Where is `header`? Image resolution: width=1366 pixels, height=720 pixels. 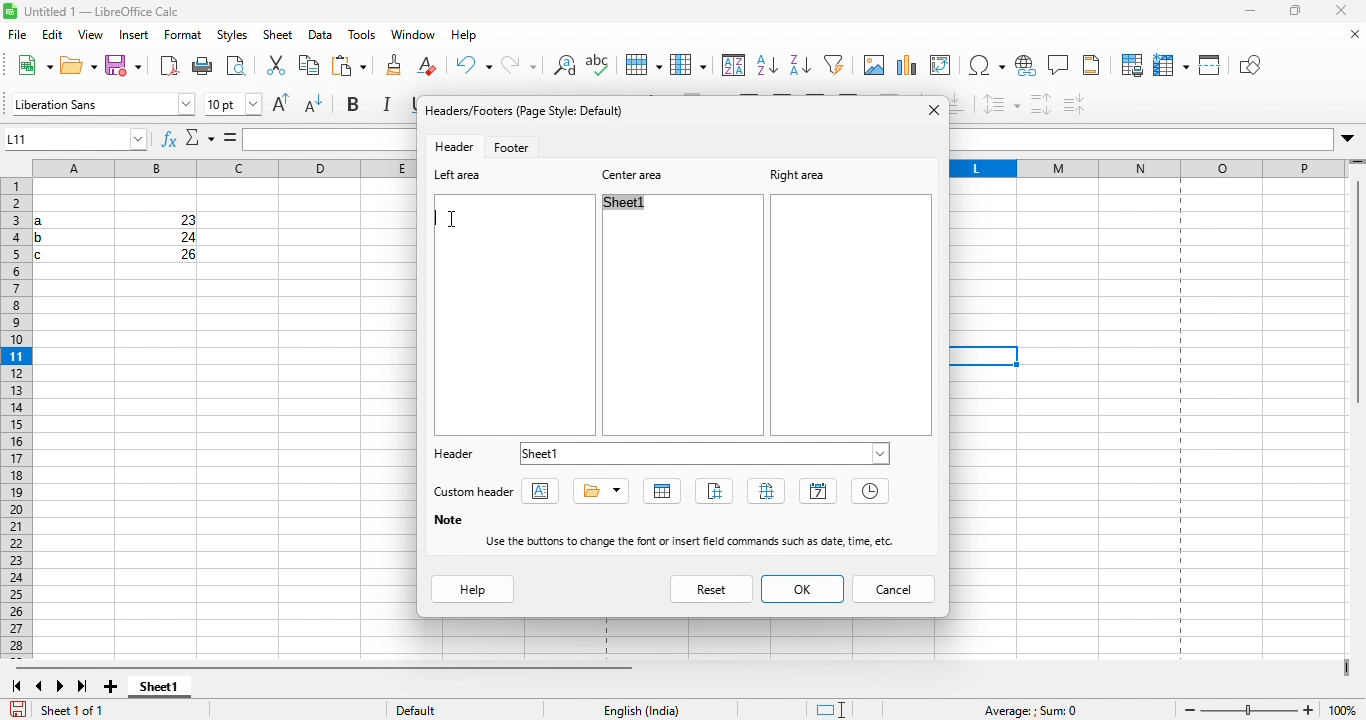 header is located at coordinates (454, 456).